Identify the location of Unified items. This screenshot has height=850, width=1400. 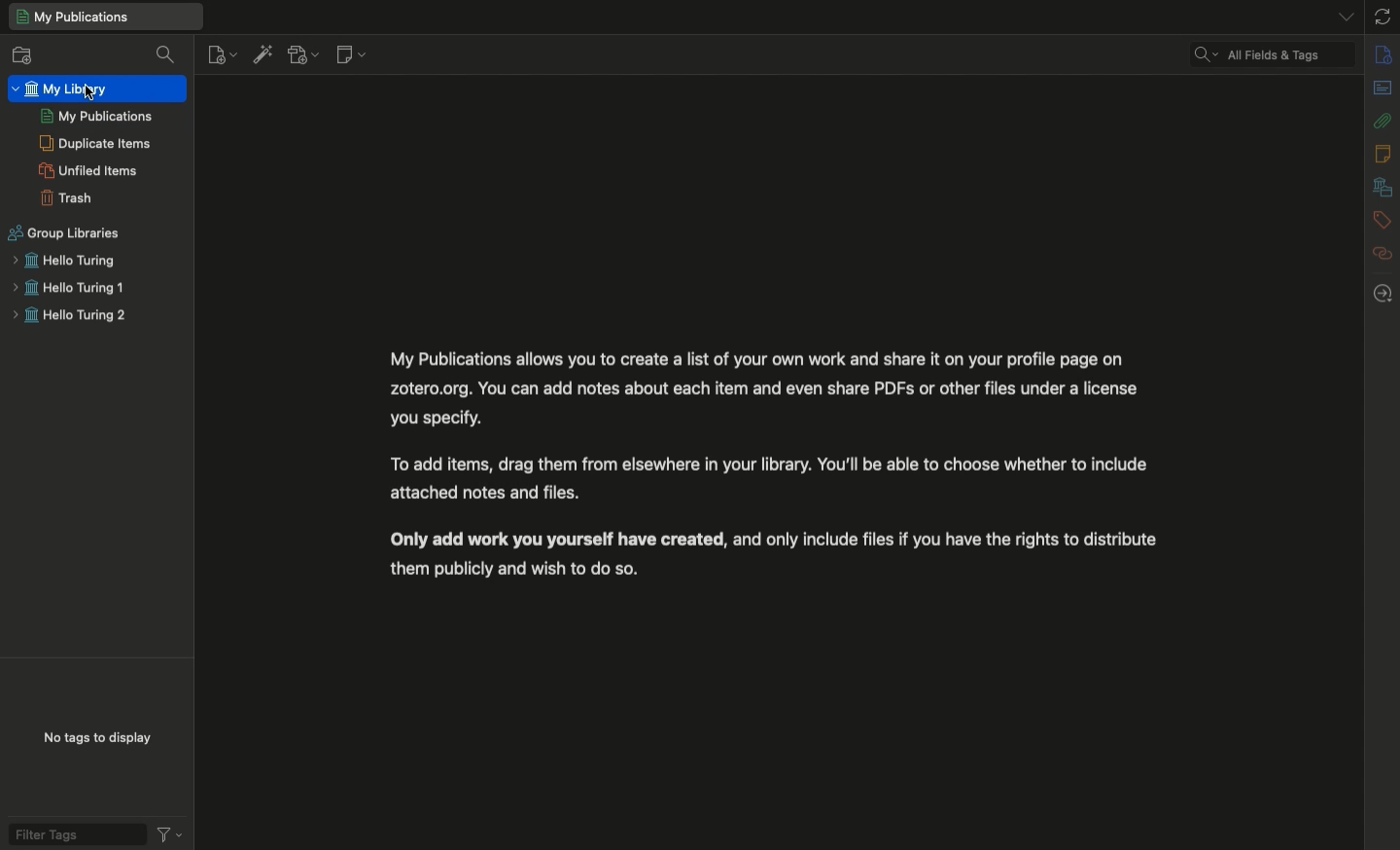
(88, 172).